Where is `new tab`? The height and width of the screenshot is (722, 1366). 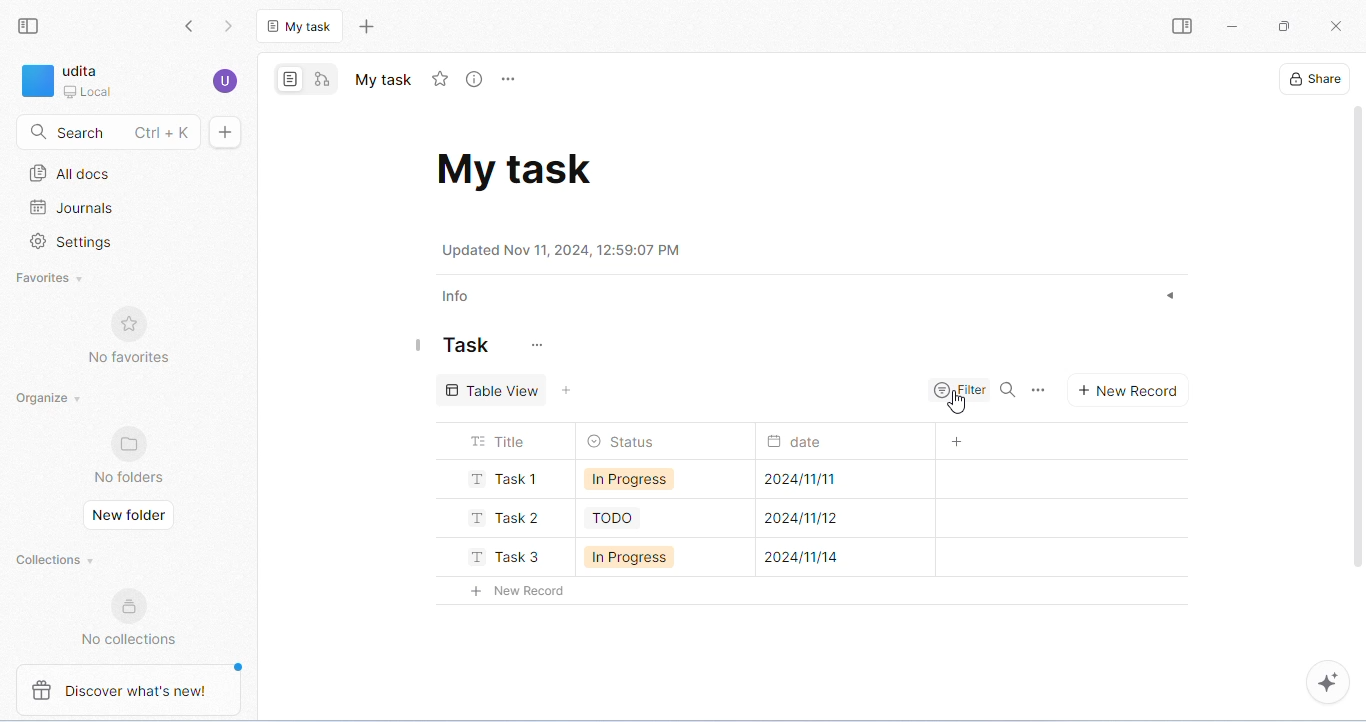
new tab is located at coordinates (366, 26).